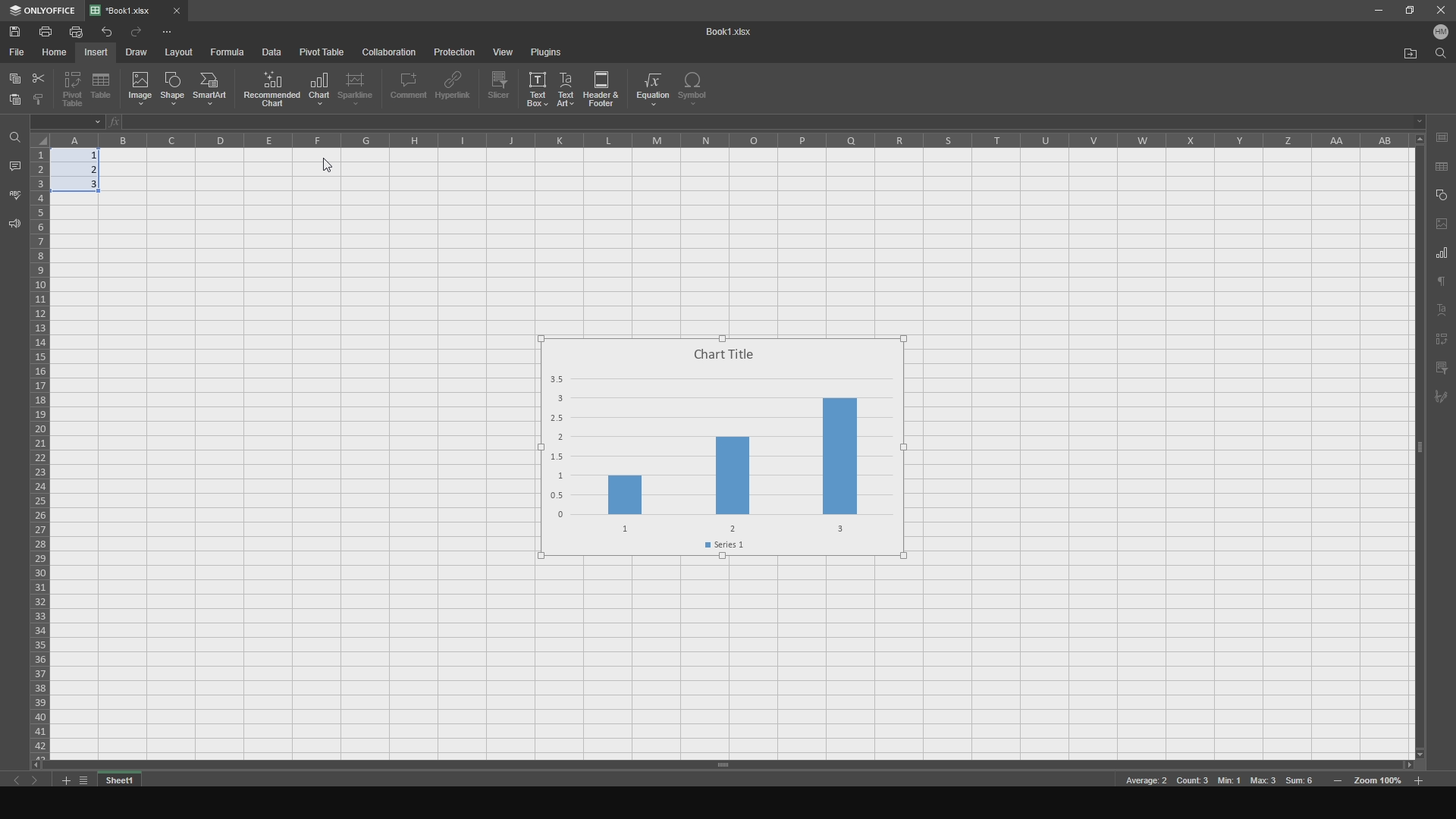 The image size is (1456, 819). I want to click on cell functions, so click(769, 123).